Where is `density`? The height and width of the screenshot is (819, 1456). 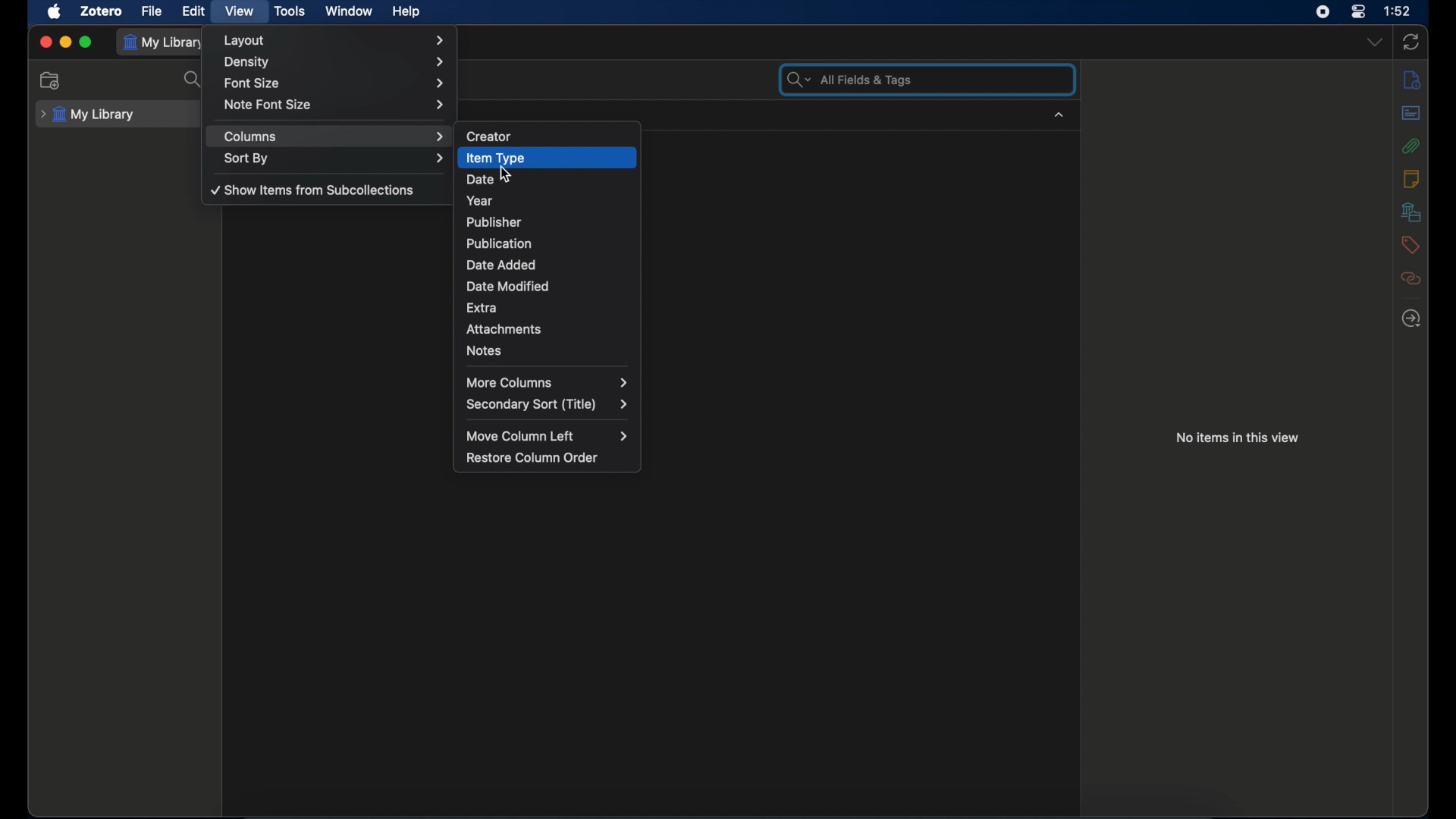
density is located at coordinates (335, 63).